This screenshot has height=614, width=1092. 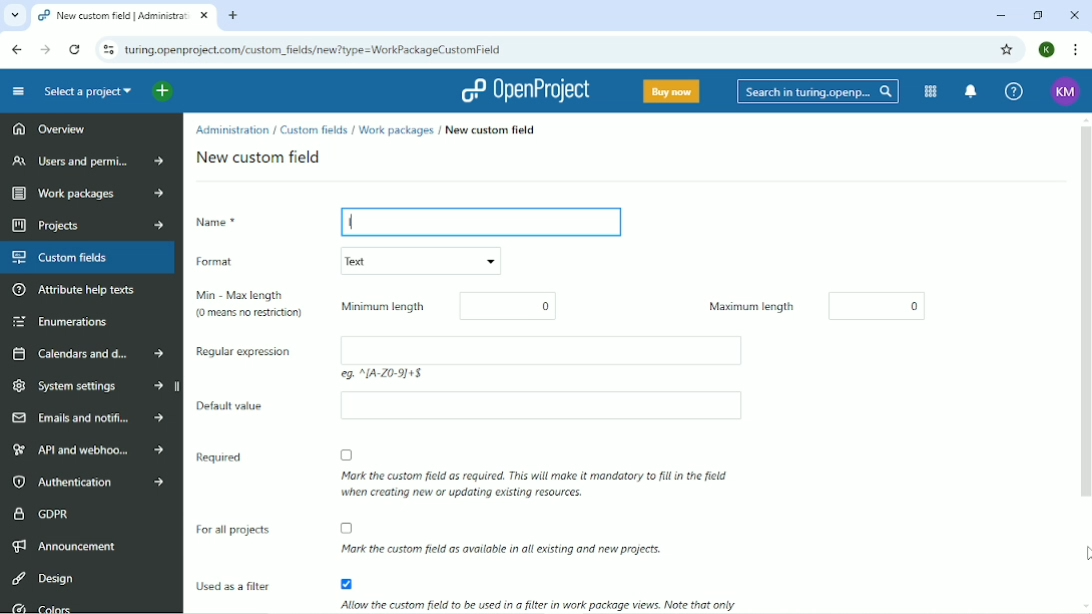 I want to click on Calendars and dates, so click(x=89, y=355).